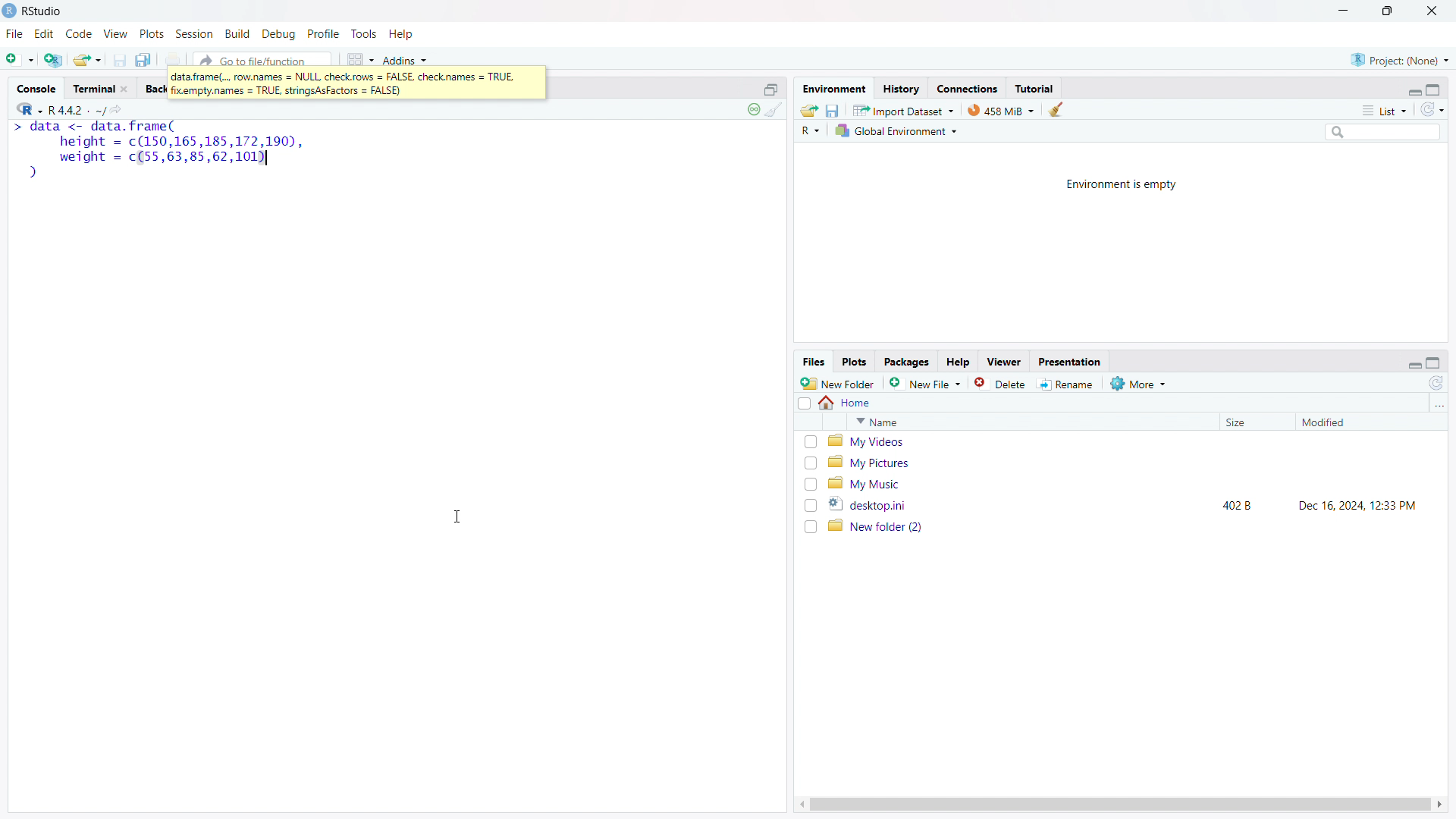 This screenshot has height=819, width=1456. What do you see at coordinates (813, 362) in the screenshot?
I see `files` at bounding box center [813, 362].